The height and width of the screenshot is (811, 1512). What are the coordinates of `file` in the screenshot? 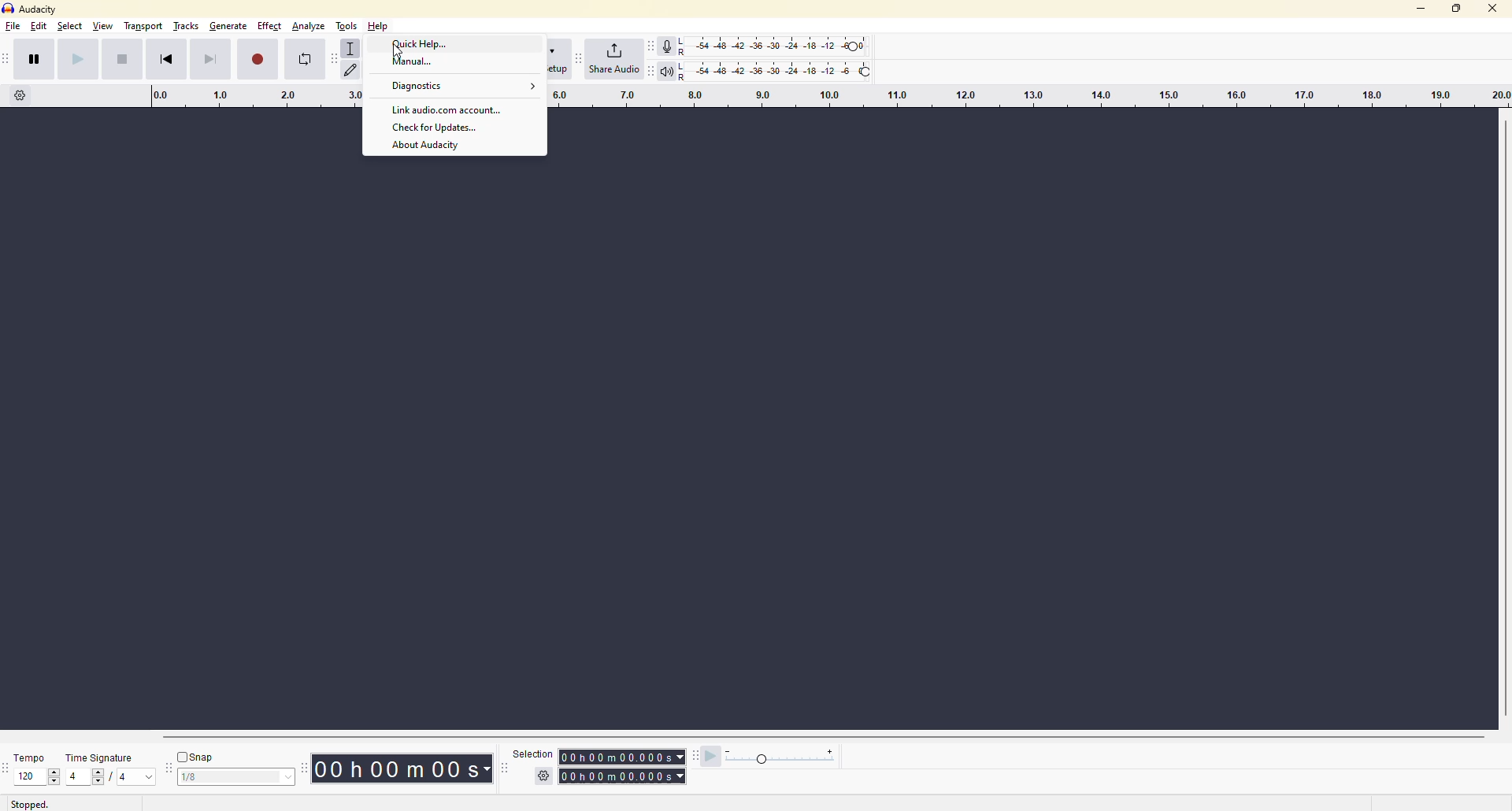 It's located at (13, 28).